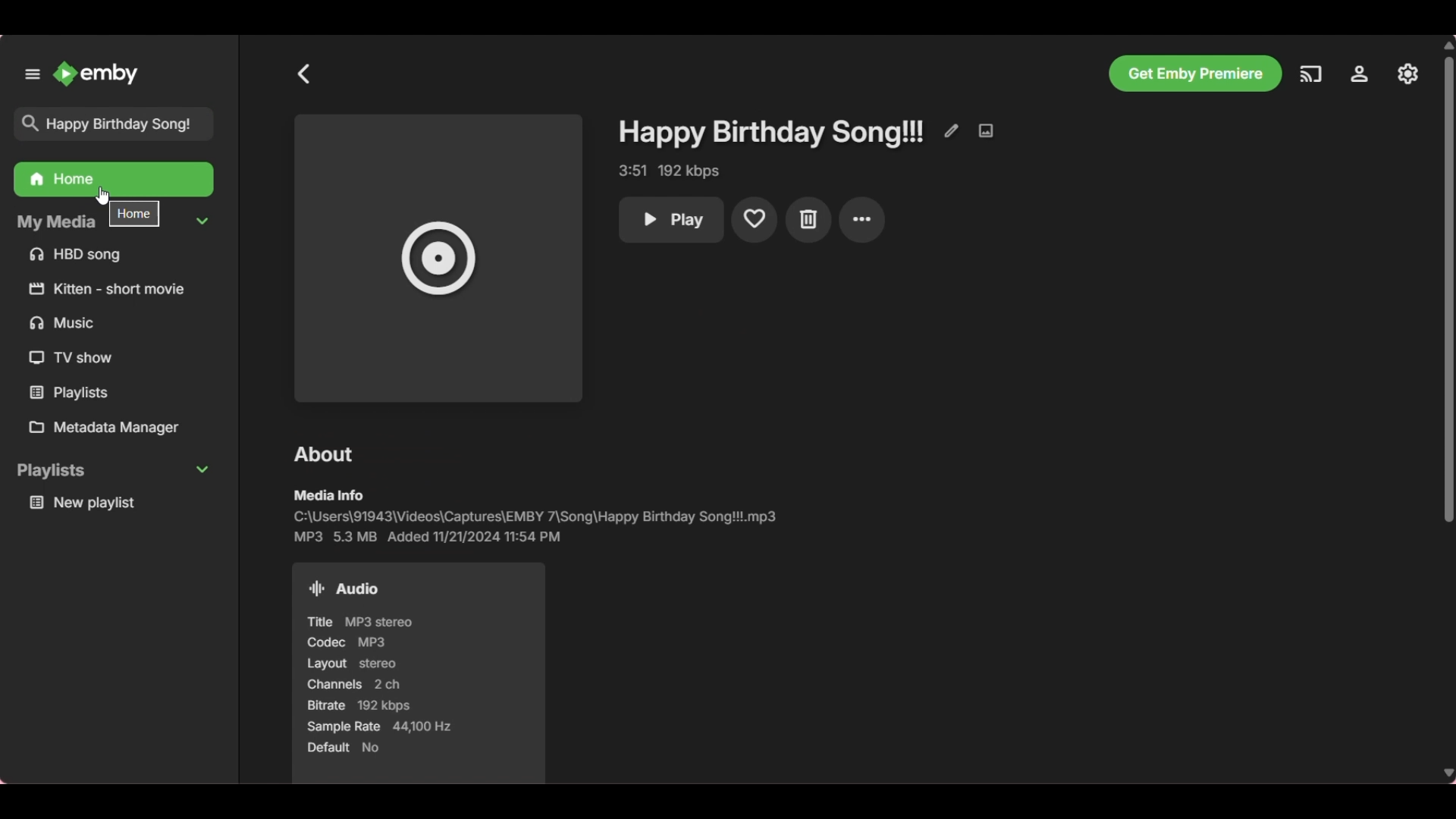  Describe the element at coordinates (118, 504) in the screenshot. I see `New Playlist` at that location.